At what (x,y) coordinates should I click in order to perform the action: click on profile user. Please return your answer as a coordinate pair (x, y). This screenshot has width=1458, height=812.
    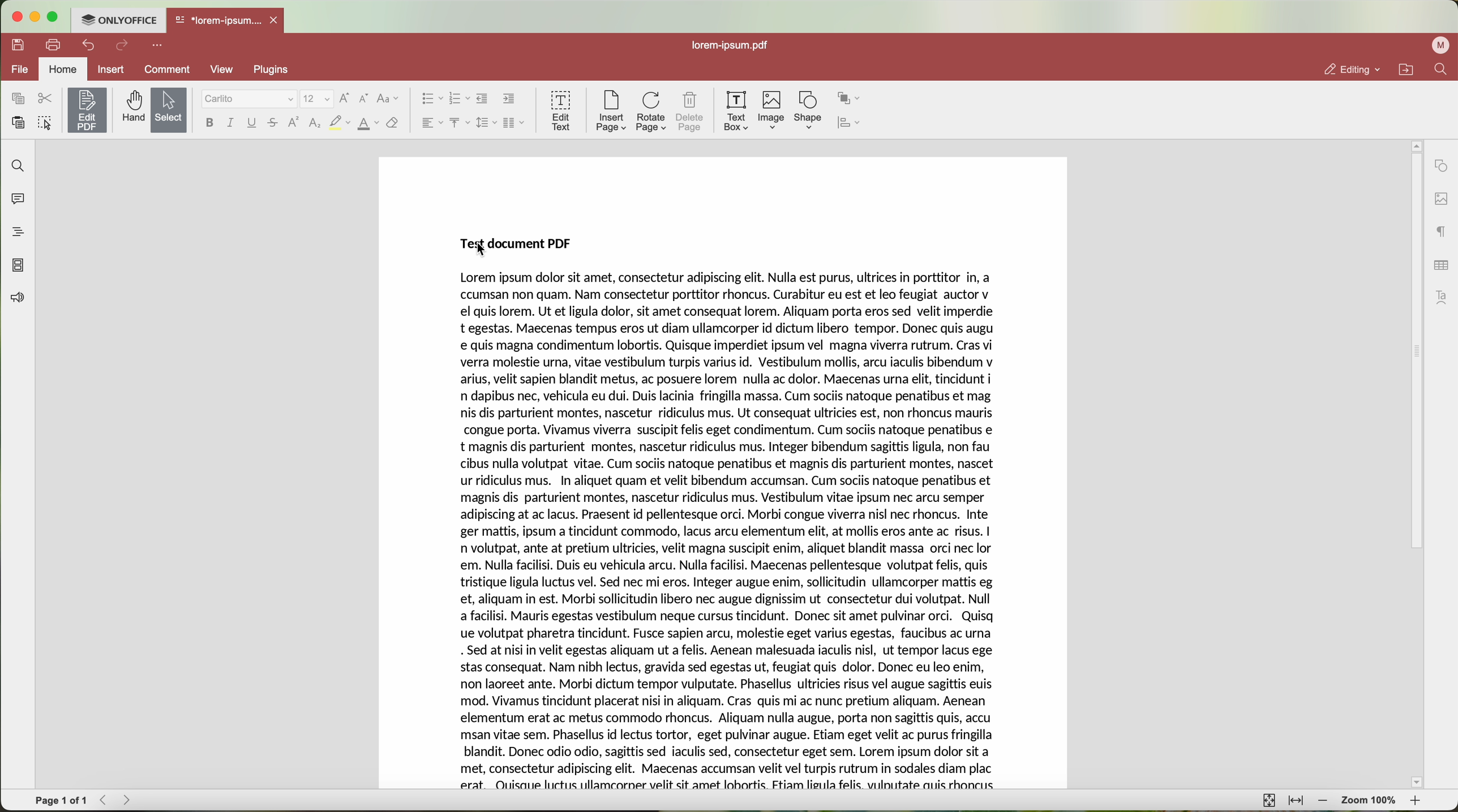
    Looking at the image, I should click on (1442, 46).